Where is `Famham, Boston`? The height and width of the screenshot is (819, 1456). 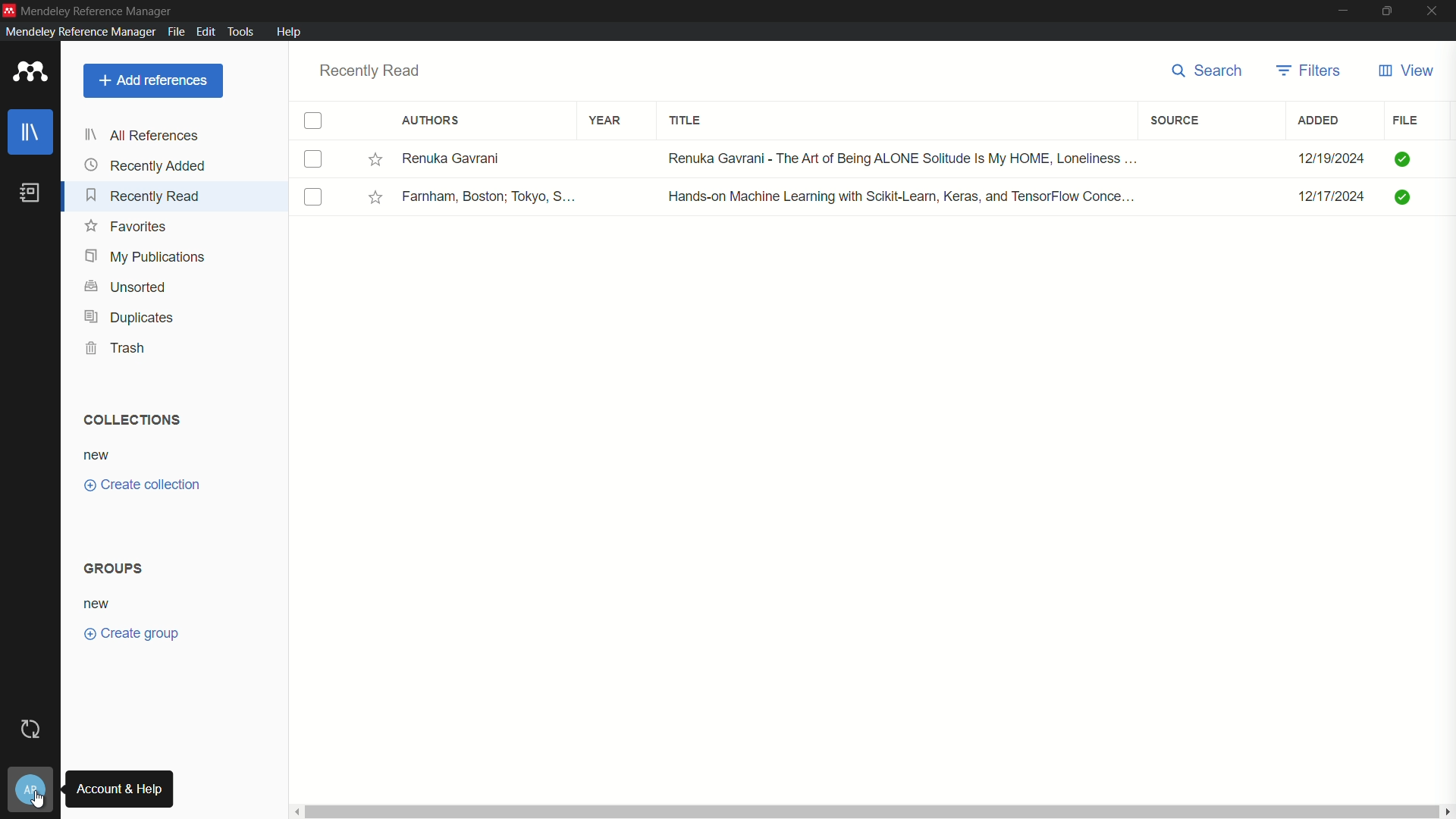 Famham, Boston is located at coordinates (488, 196).